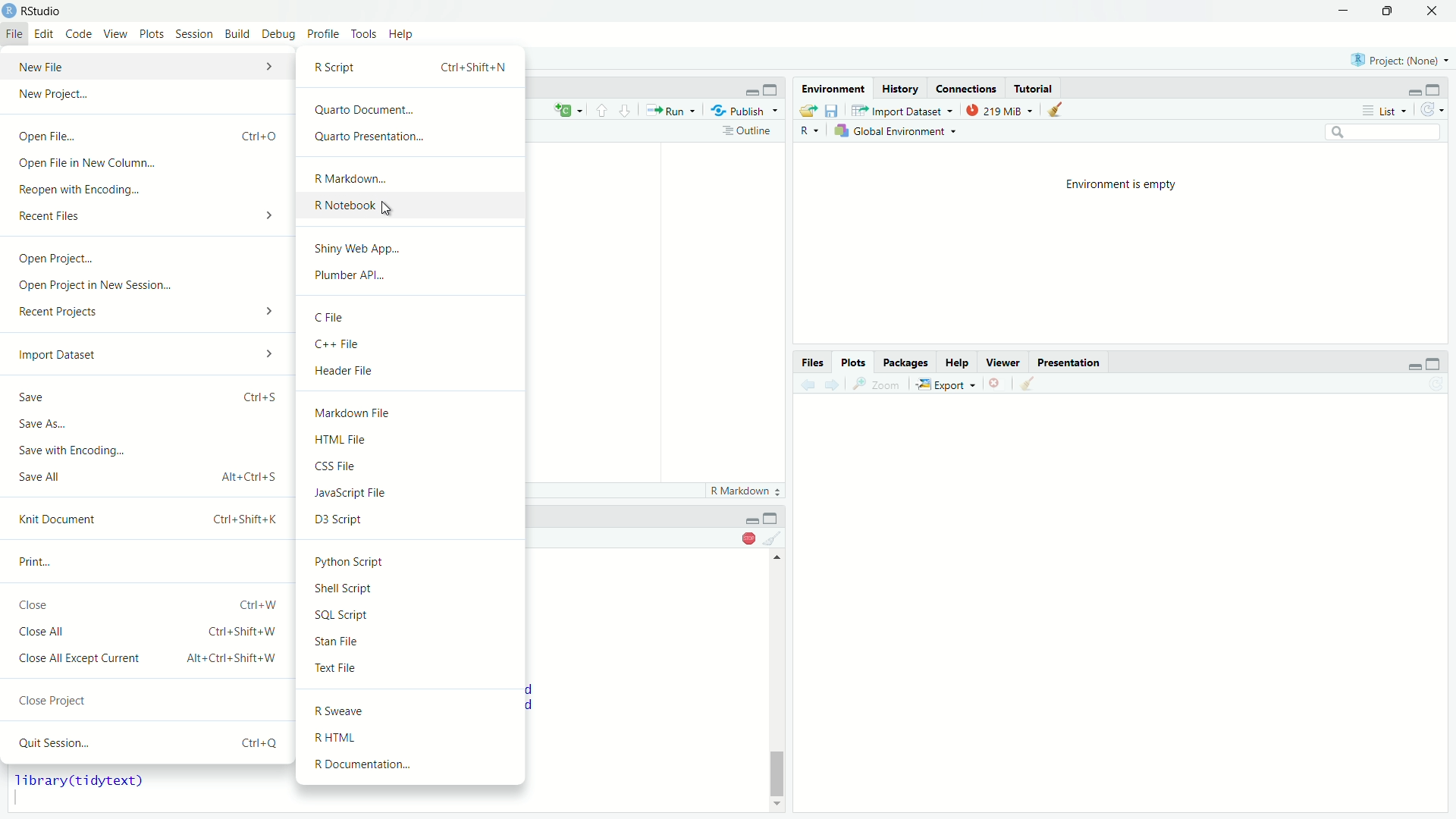 This screenshot has width=1456, height=819. I want to click on Help, so click(401, 34).